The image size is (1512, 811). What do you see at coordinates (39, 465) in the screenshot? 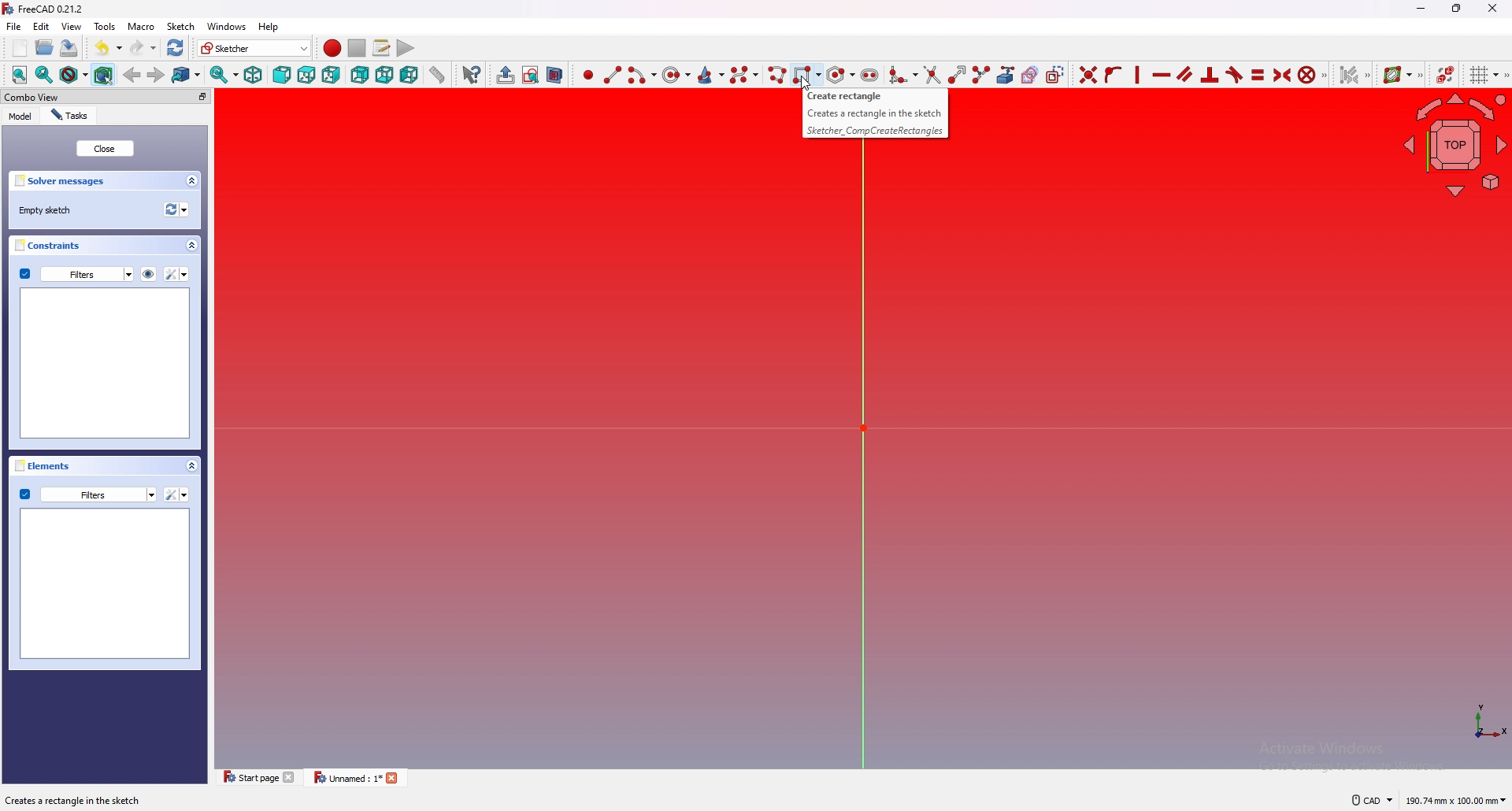
I see `elements` at bounding box center [39, 465].